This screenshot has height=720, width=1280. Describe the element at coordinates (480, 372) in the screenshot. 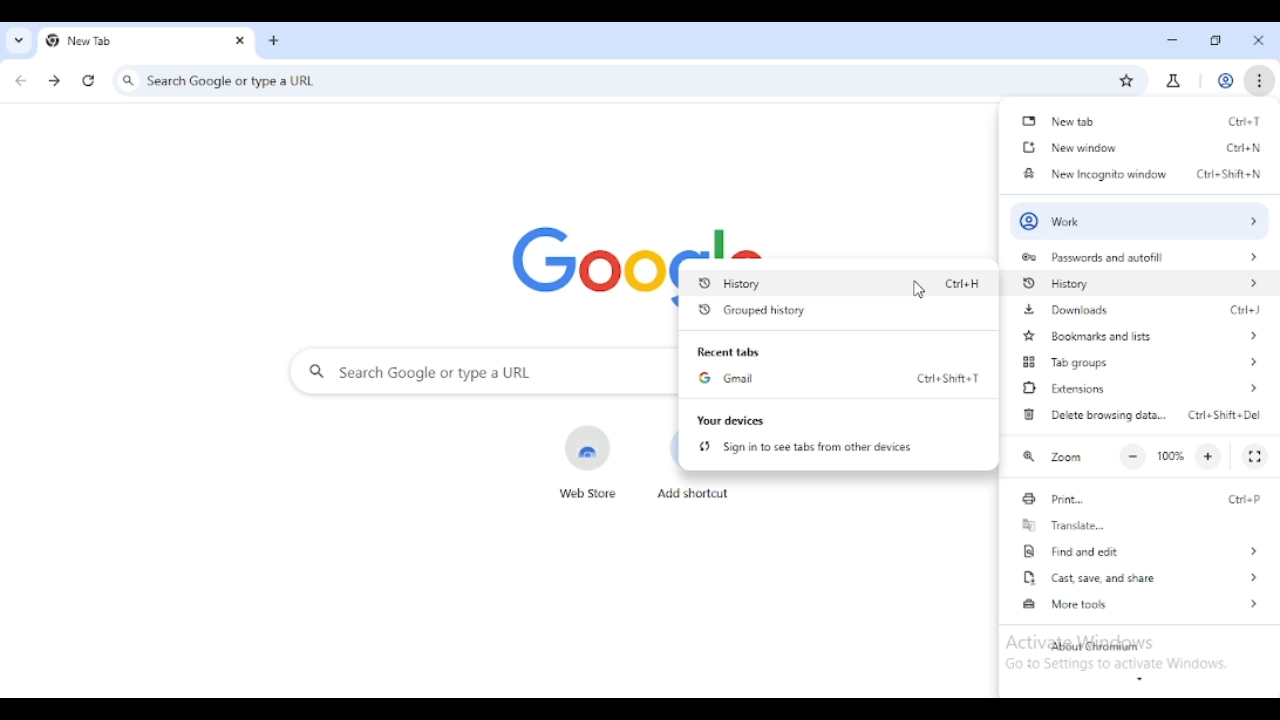

I see `search google or type a URL` at that location.